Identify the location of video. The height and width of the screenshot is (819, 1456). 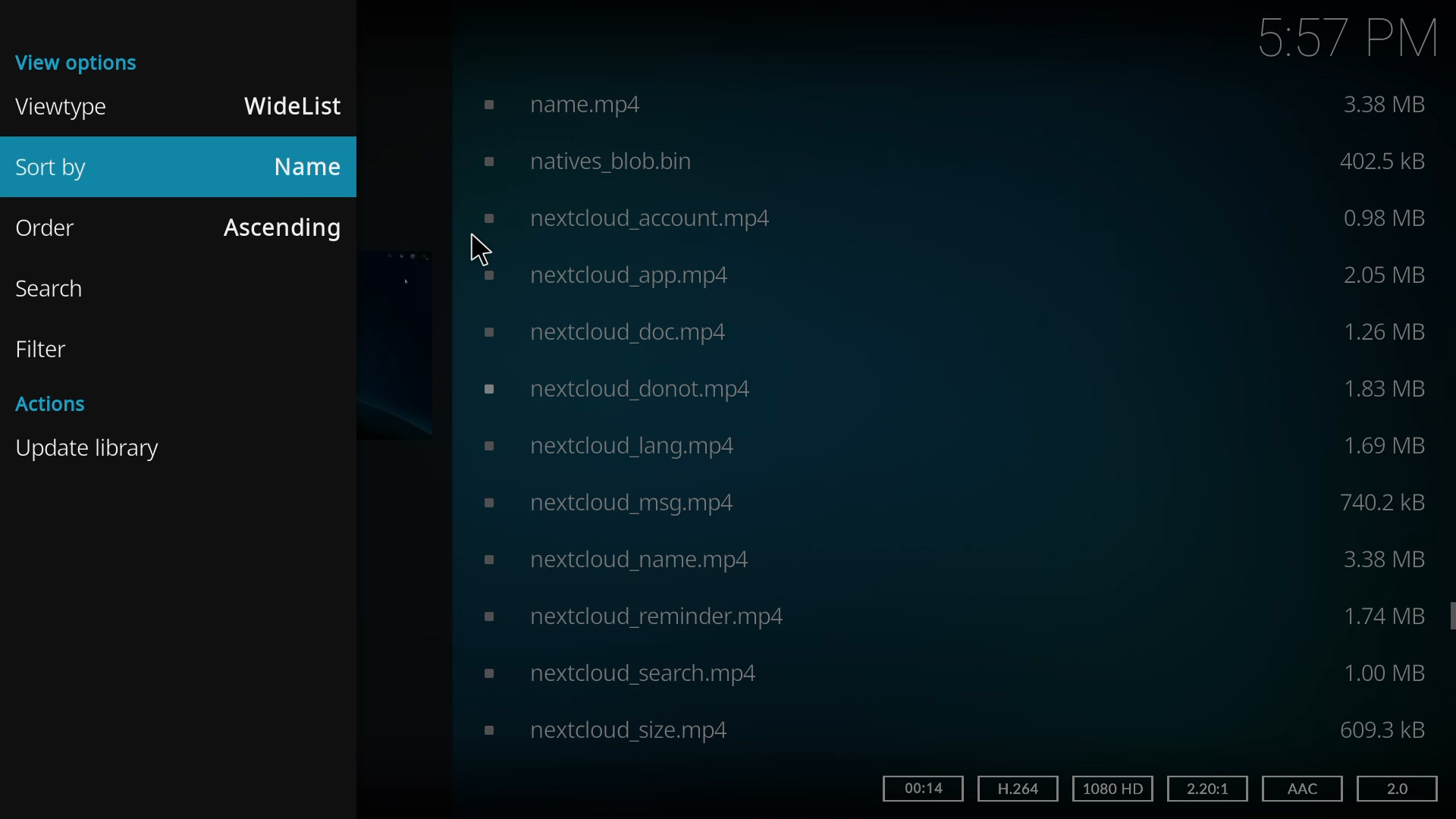
(619, 217).